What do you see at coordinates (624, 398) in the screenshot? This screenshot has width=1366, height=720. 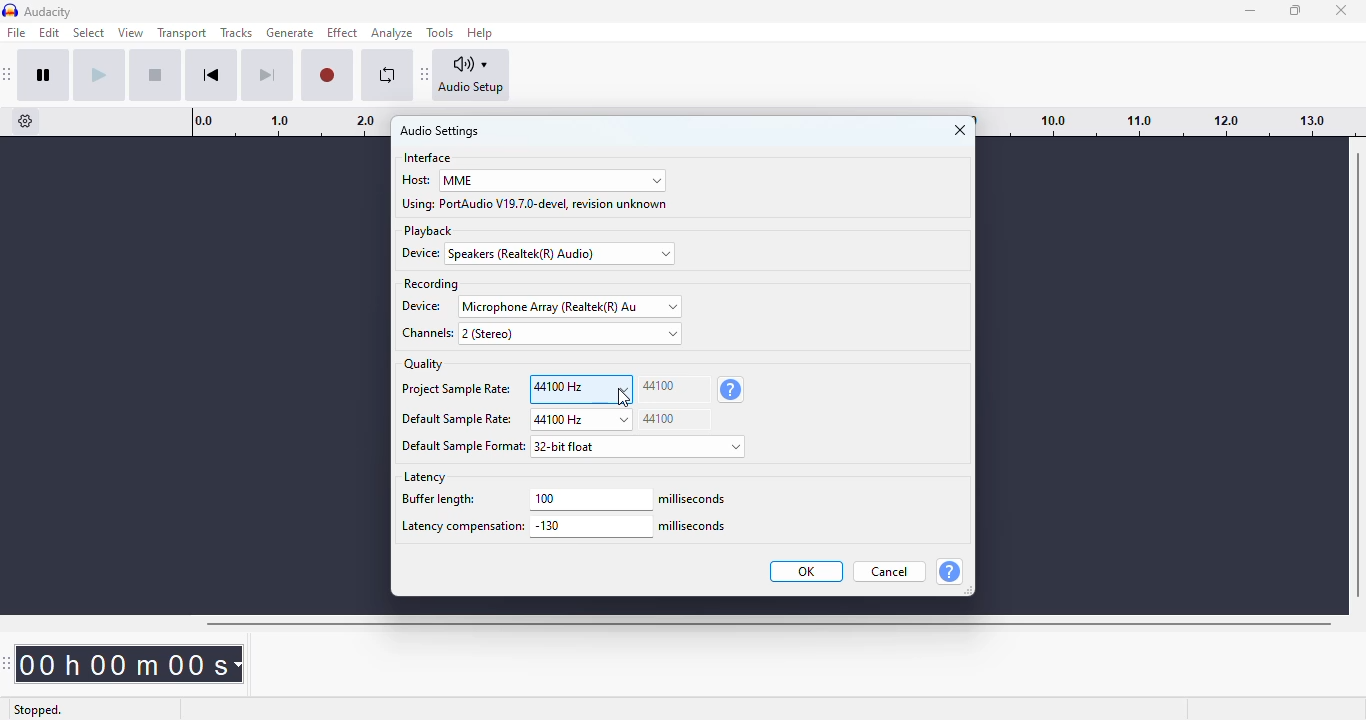 I see `cursor` at bounding box center [624, 398].